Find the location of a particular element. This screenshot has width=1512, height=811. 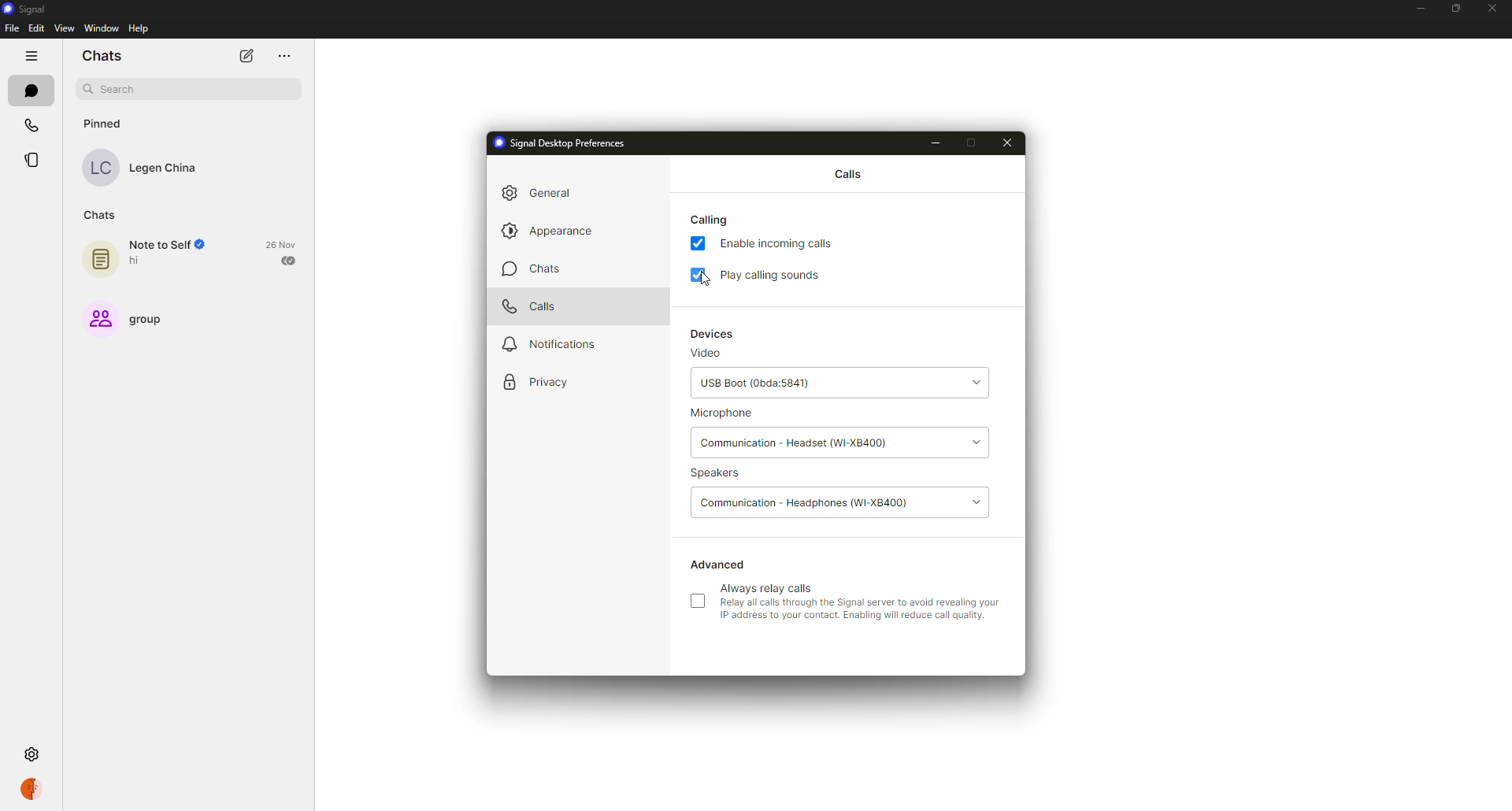

advanced is located at coordinates (721, 565).